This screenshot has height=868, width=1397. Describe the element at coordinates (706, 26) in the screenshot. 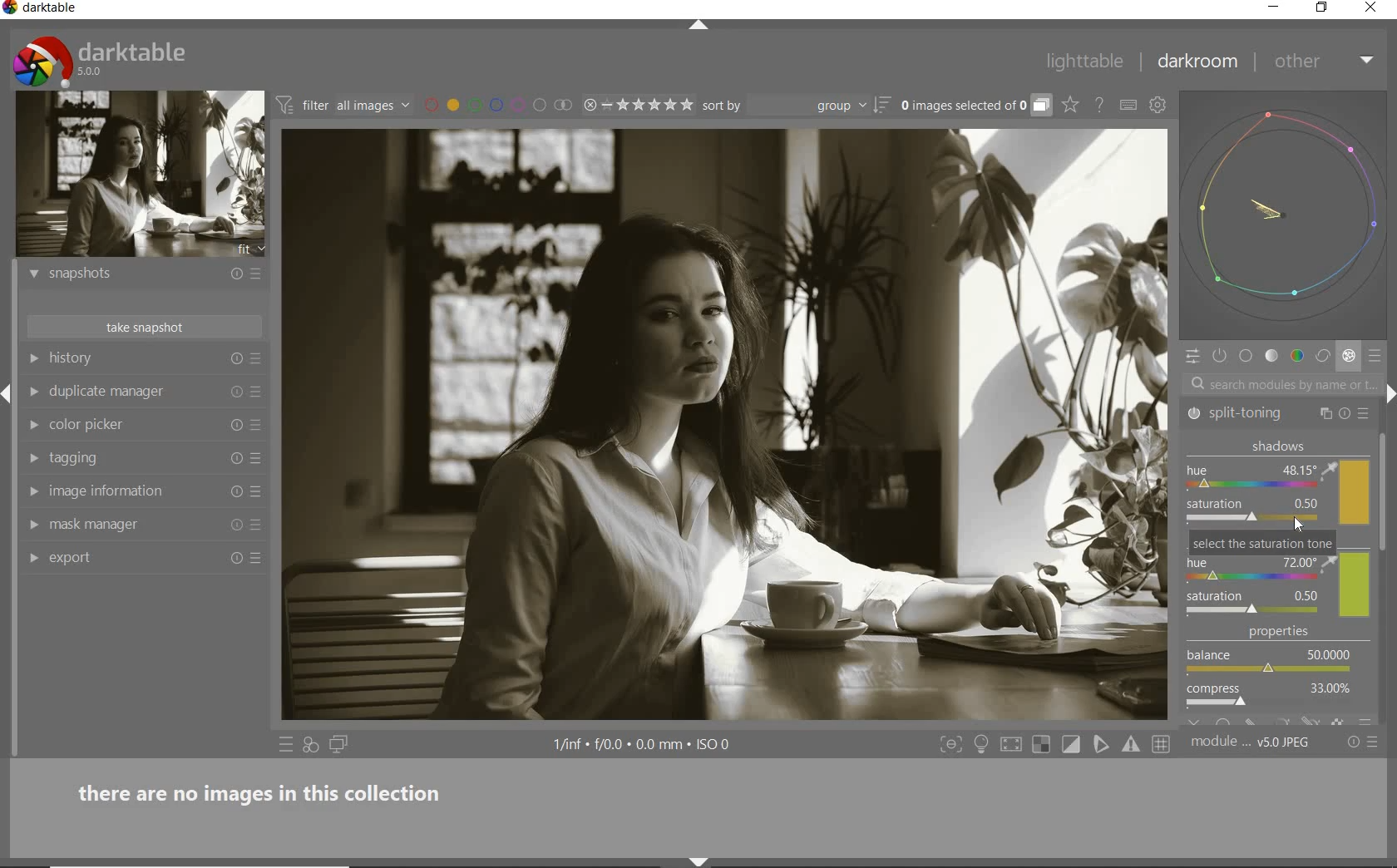

I see `expand/collapse` at that location.